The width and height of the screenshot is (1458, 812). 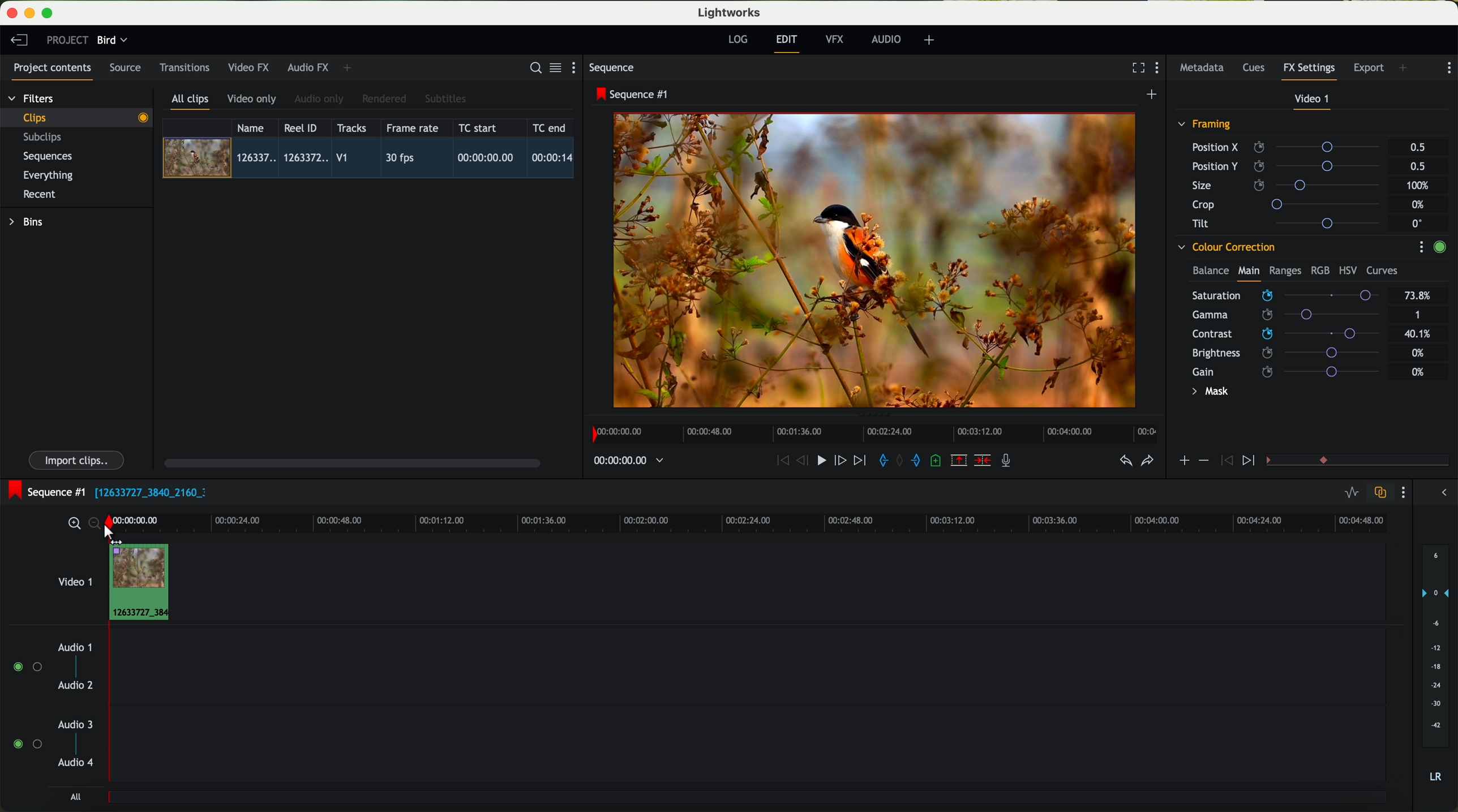 I want to click on redo, so click(x=1147, y=462).